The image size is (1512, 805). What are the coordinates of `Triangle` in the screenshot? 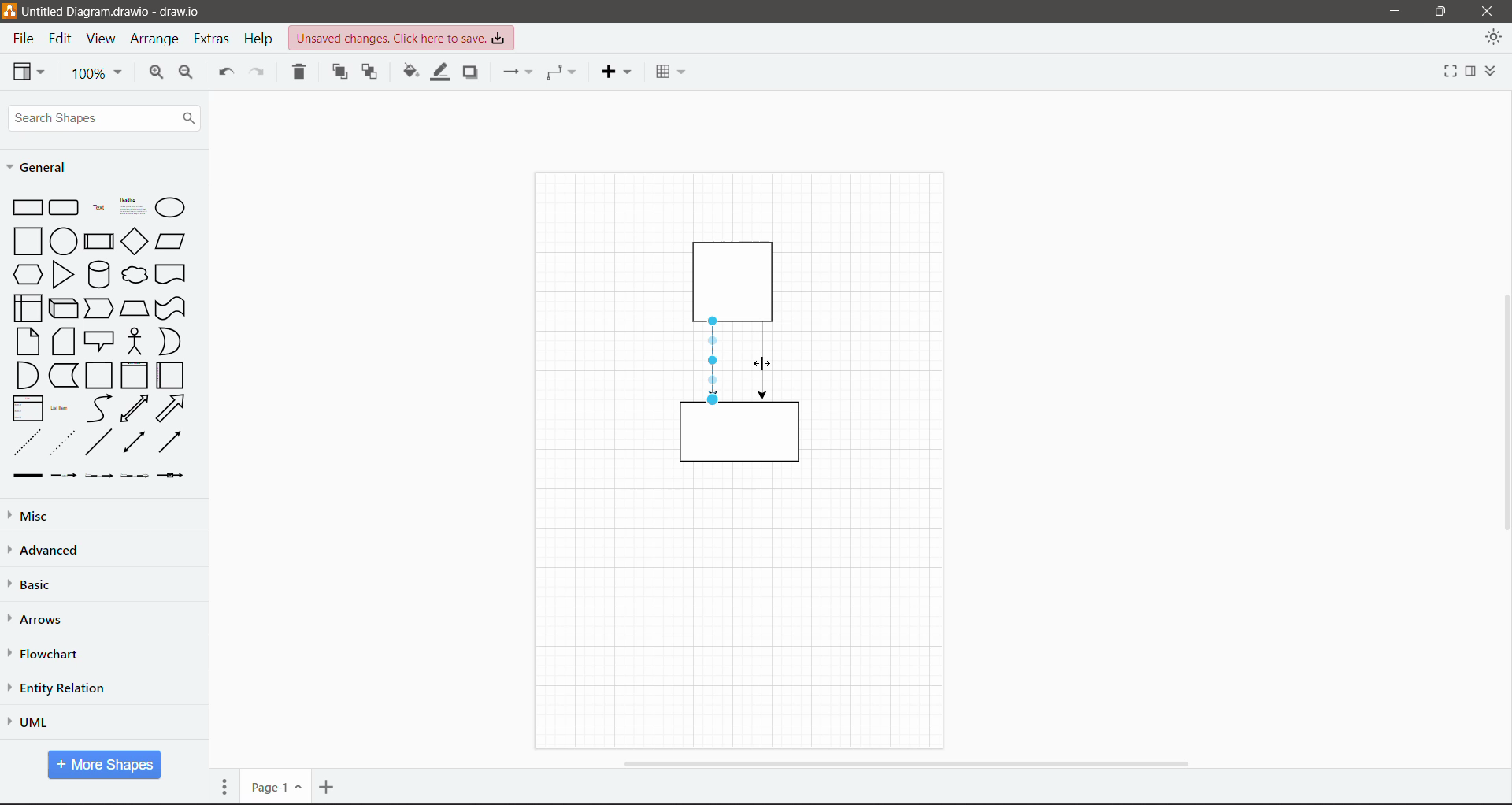 It's located at (63, 274).